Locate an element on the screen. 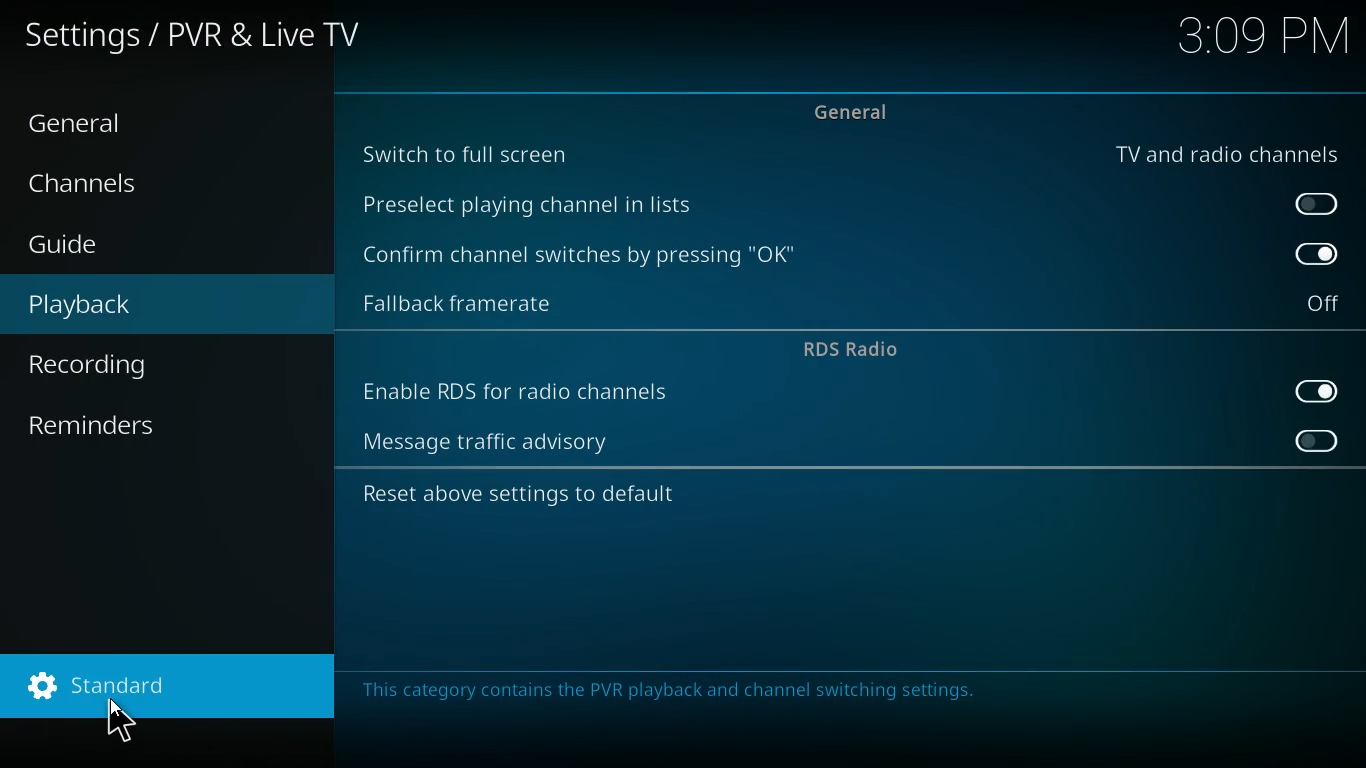 The height and width of the screenshot is (768, 1366). time is located at coordinates (1265, 38).